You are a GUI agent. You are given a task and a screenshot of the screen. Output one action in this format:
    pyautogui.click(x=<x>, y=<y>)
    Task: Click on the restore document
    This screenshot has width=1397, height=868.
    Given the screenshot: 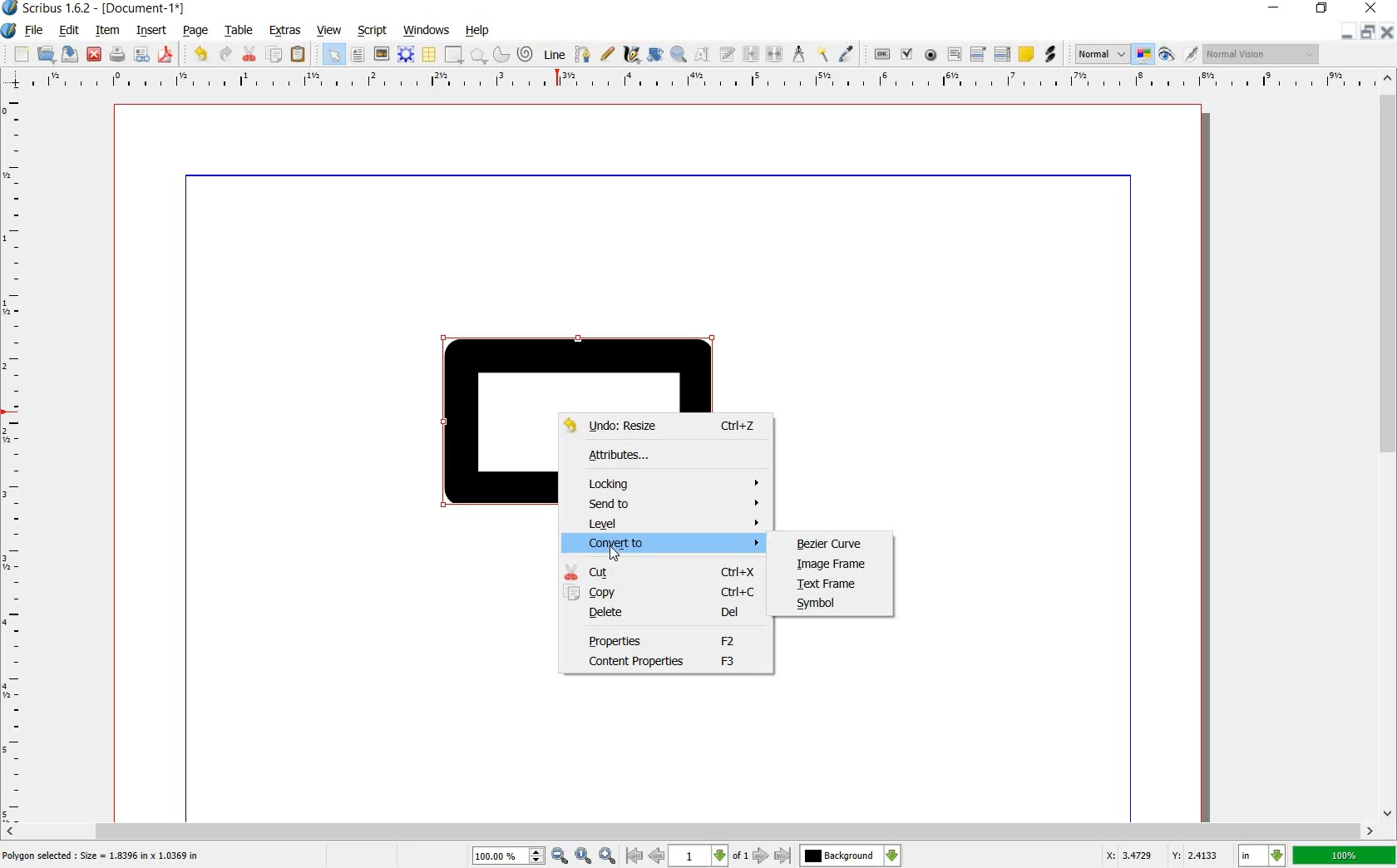 What is the action you would take?
    pyautogui.click(x=1369, y=31)
    